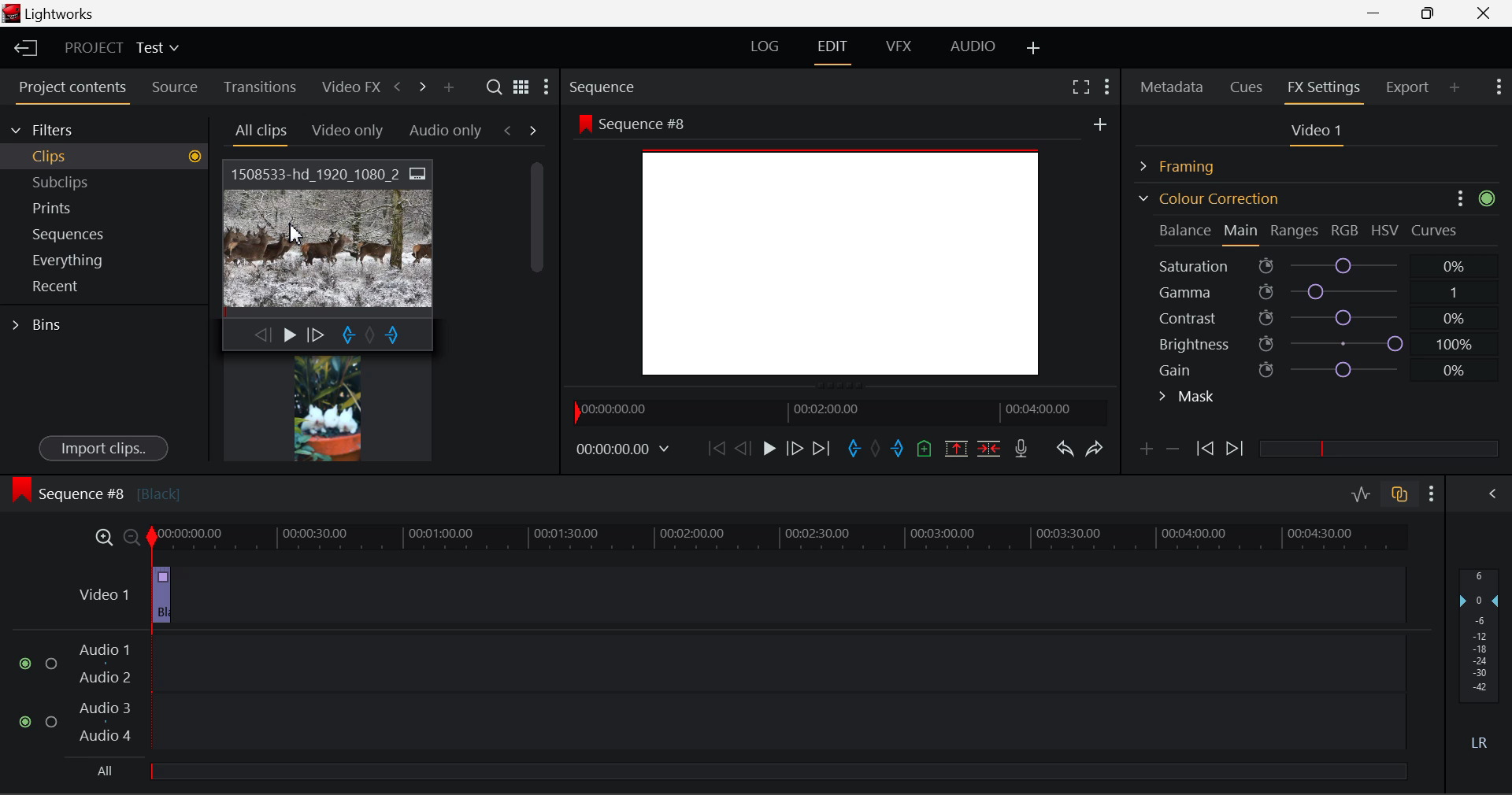 Image resolution: width=1512 pixels, height=795 pixels. What do you see at coordinates (1248, 85) in the screenshot?
I see `Cues Panel` at bounding box center [1248, 85].